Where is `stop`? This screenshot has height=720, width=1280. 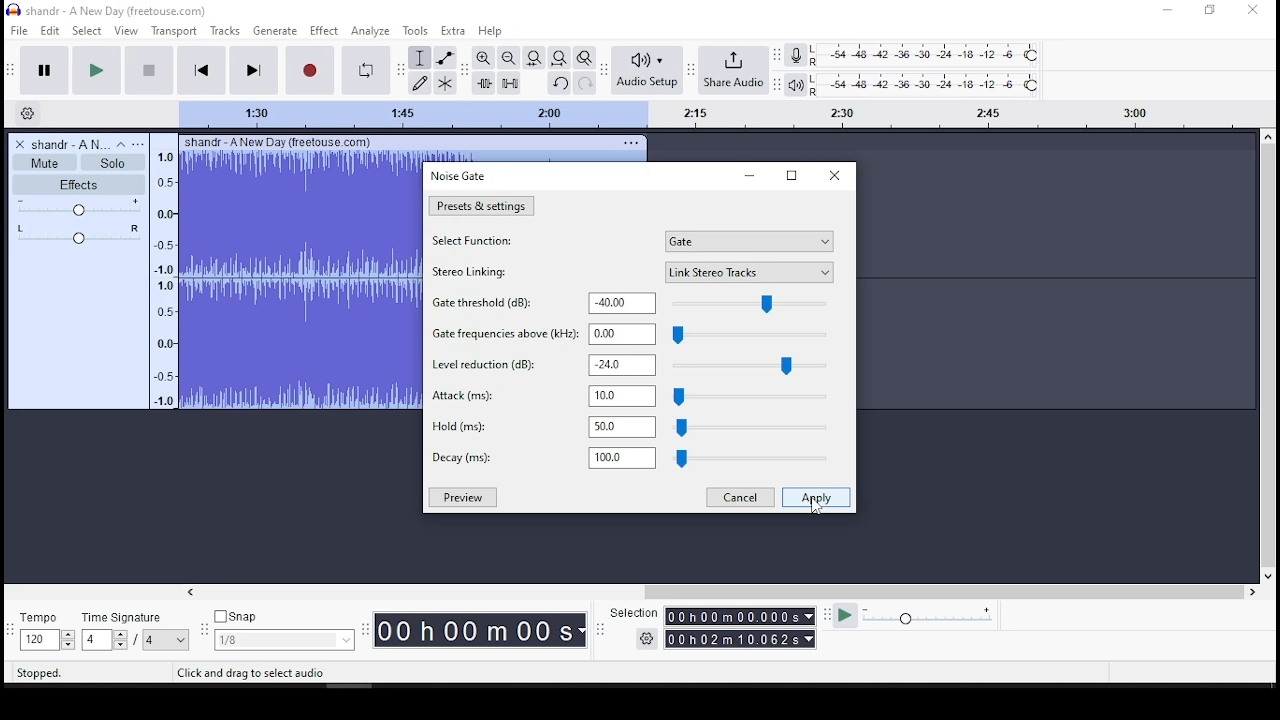 stop is located at coordinates (147, 71).